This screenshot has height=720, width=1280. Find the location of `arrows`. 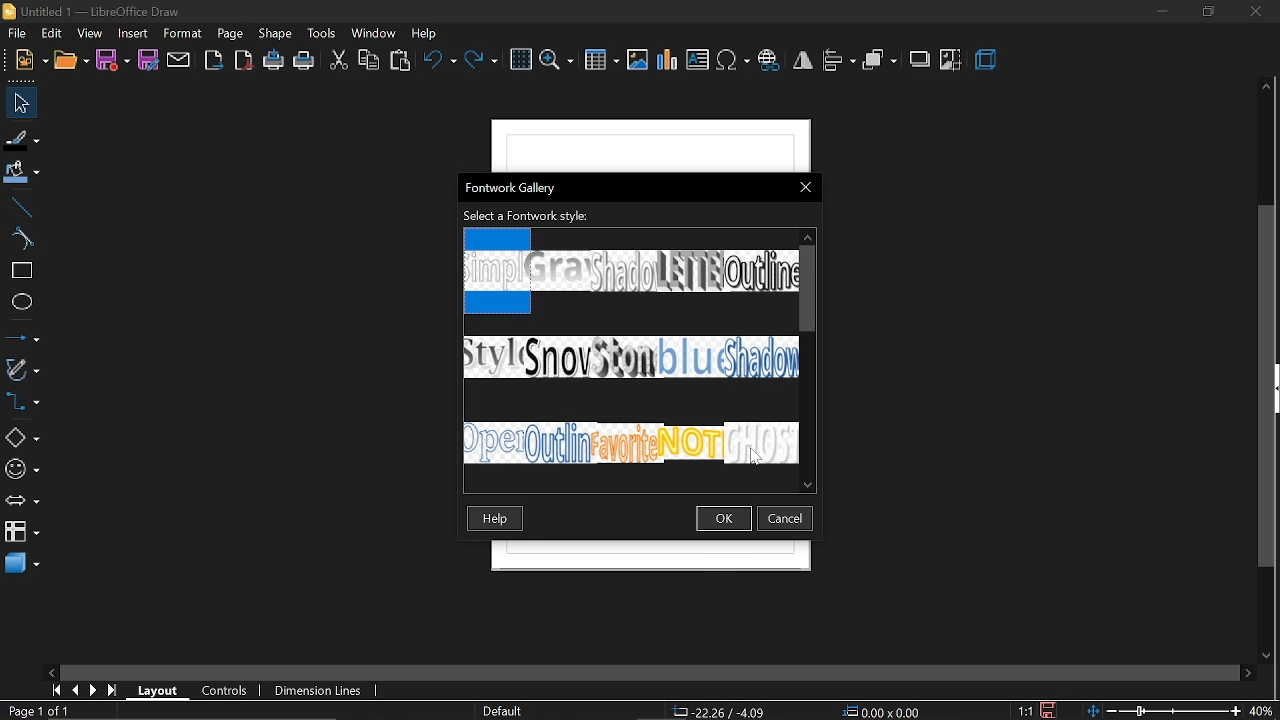

arrows is located at coordinates (22, 501).